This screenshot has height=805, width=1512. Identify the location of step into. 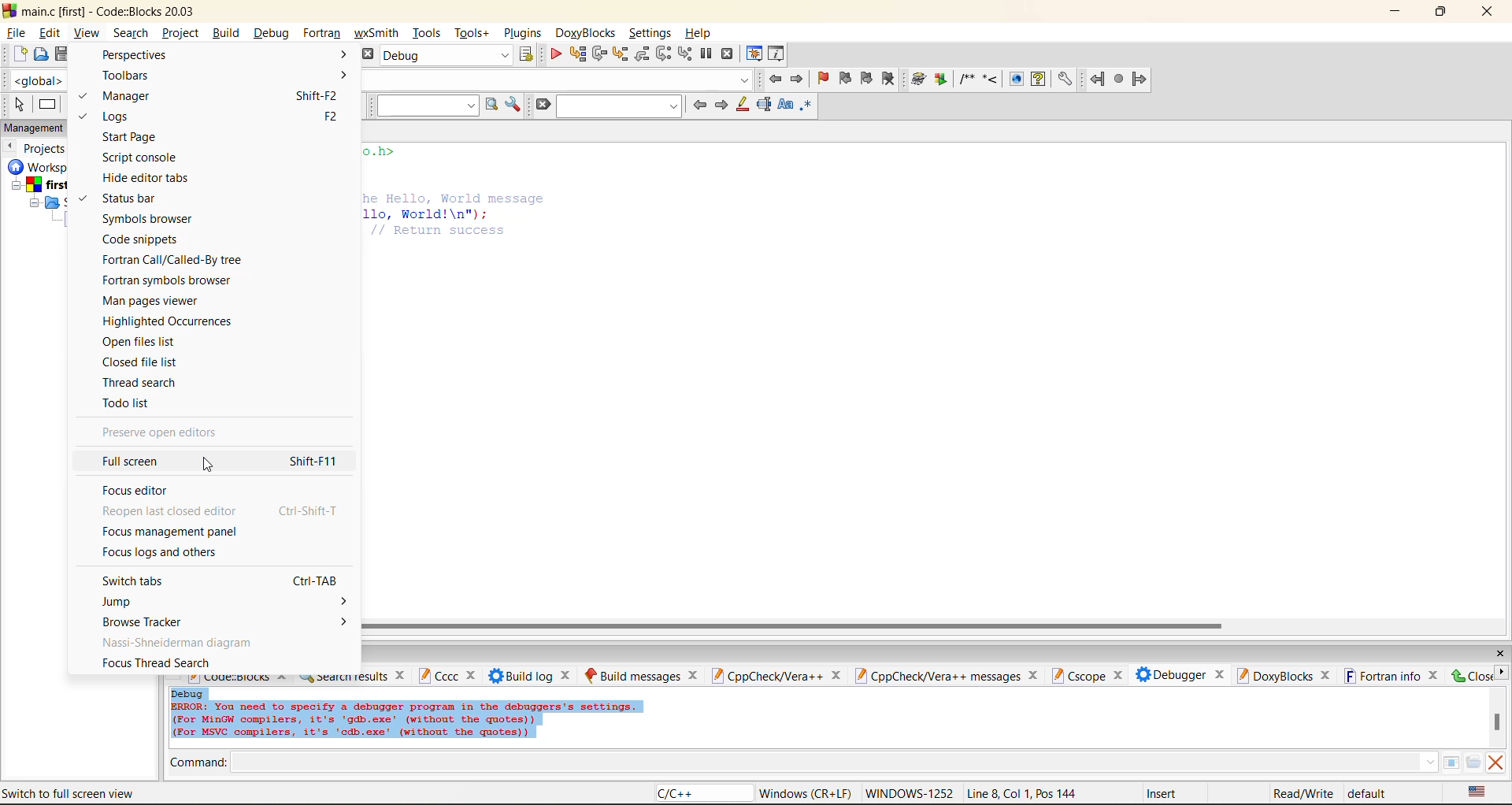
(624, 55).